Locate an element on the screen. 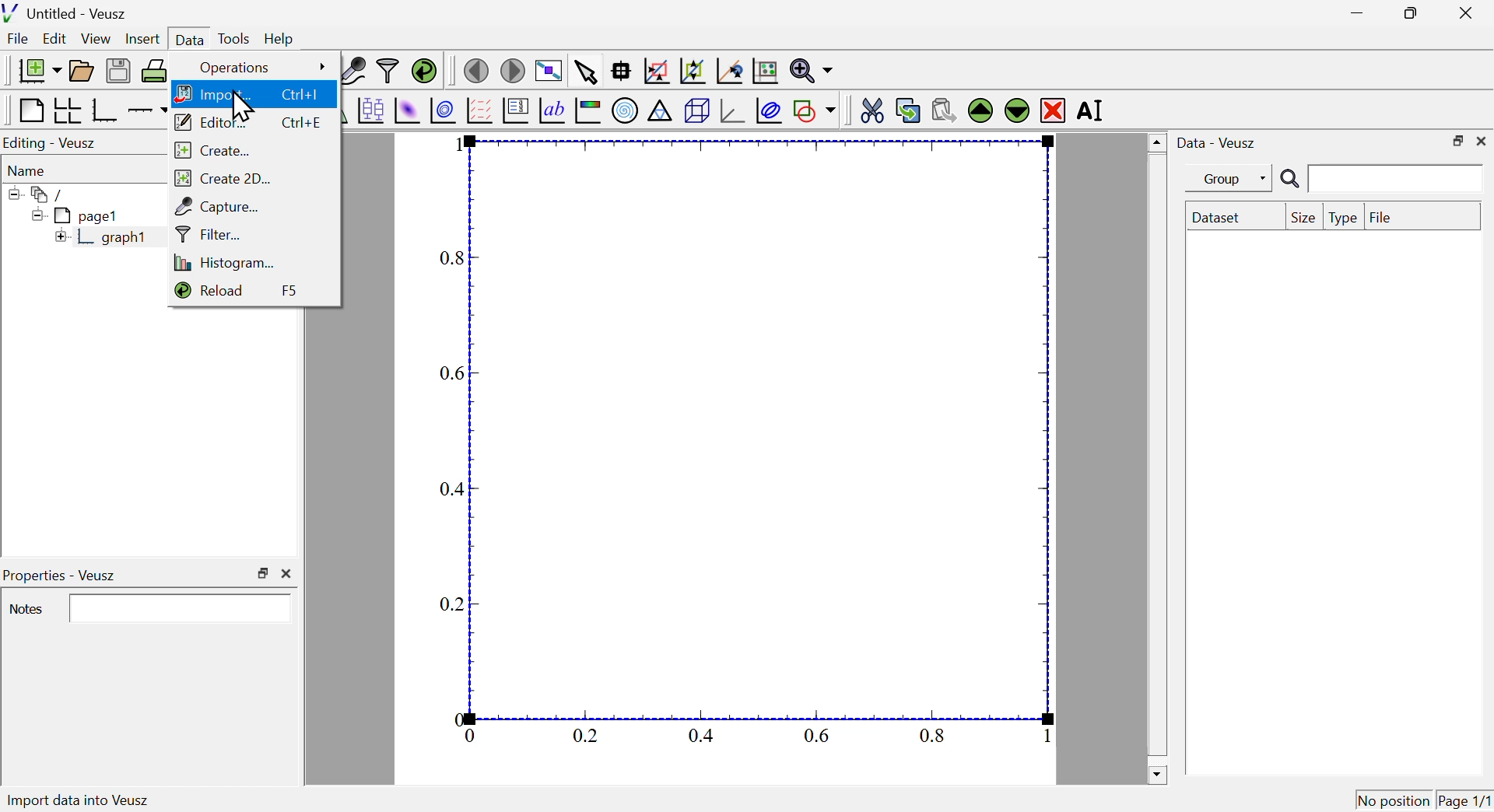 This screenshot has width=1494, height=812. zoom functions is located at coordinates (811, 71).